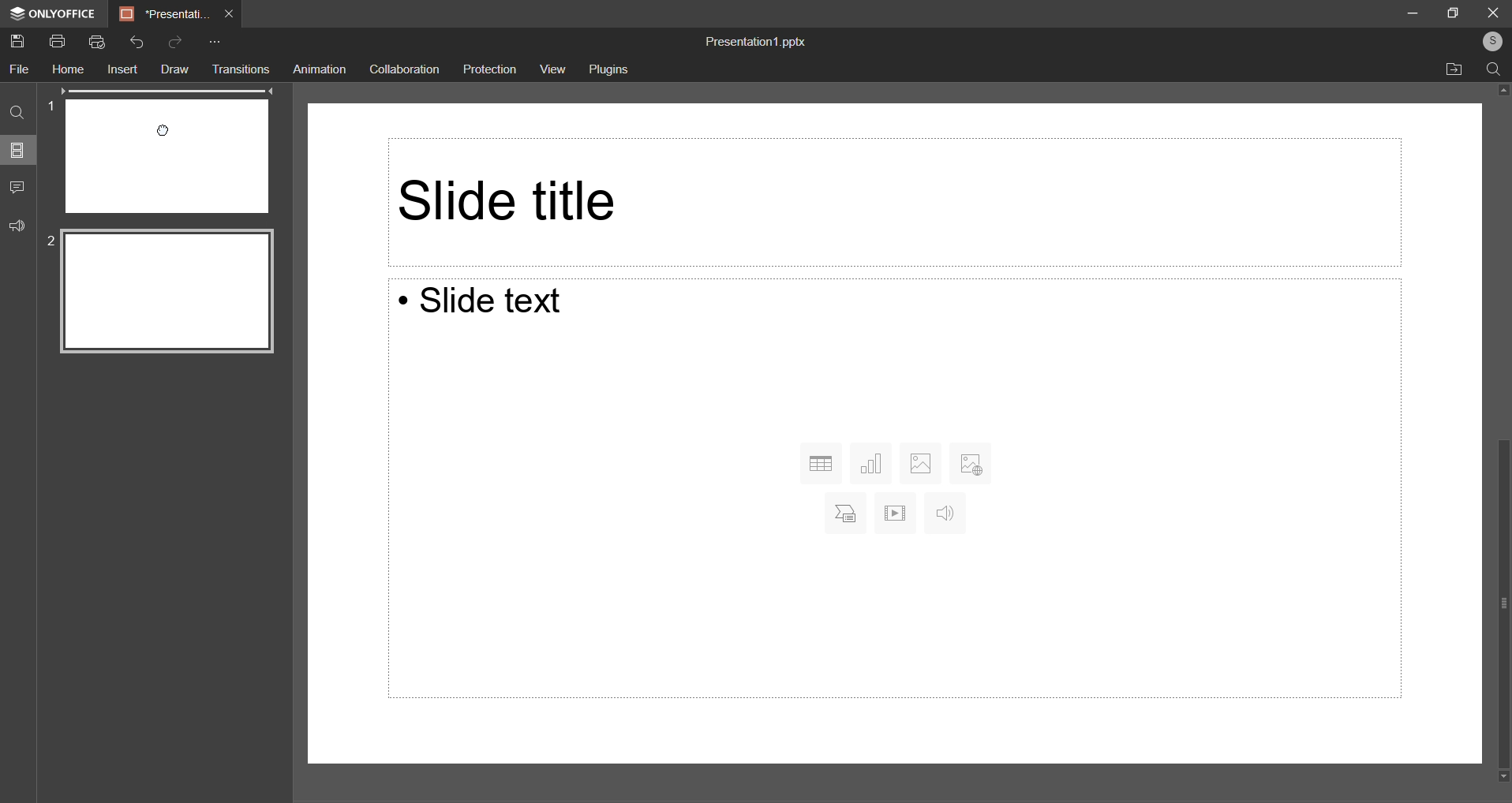 Image resolution: width=1512 pixels, height=803 pixels. What do you see at coordinates (177, 43) in the screenshot?
I see `Redo` at bounding box center [177, 43].